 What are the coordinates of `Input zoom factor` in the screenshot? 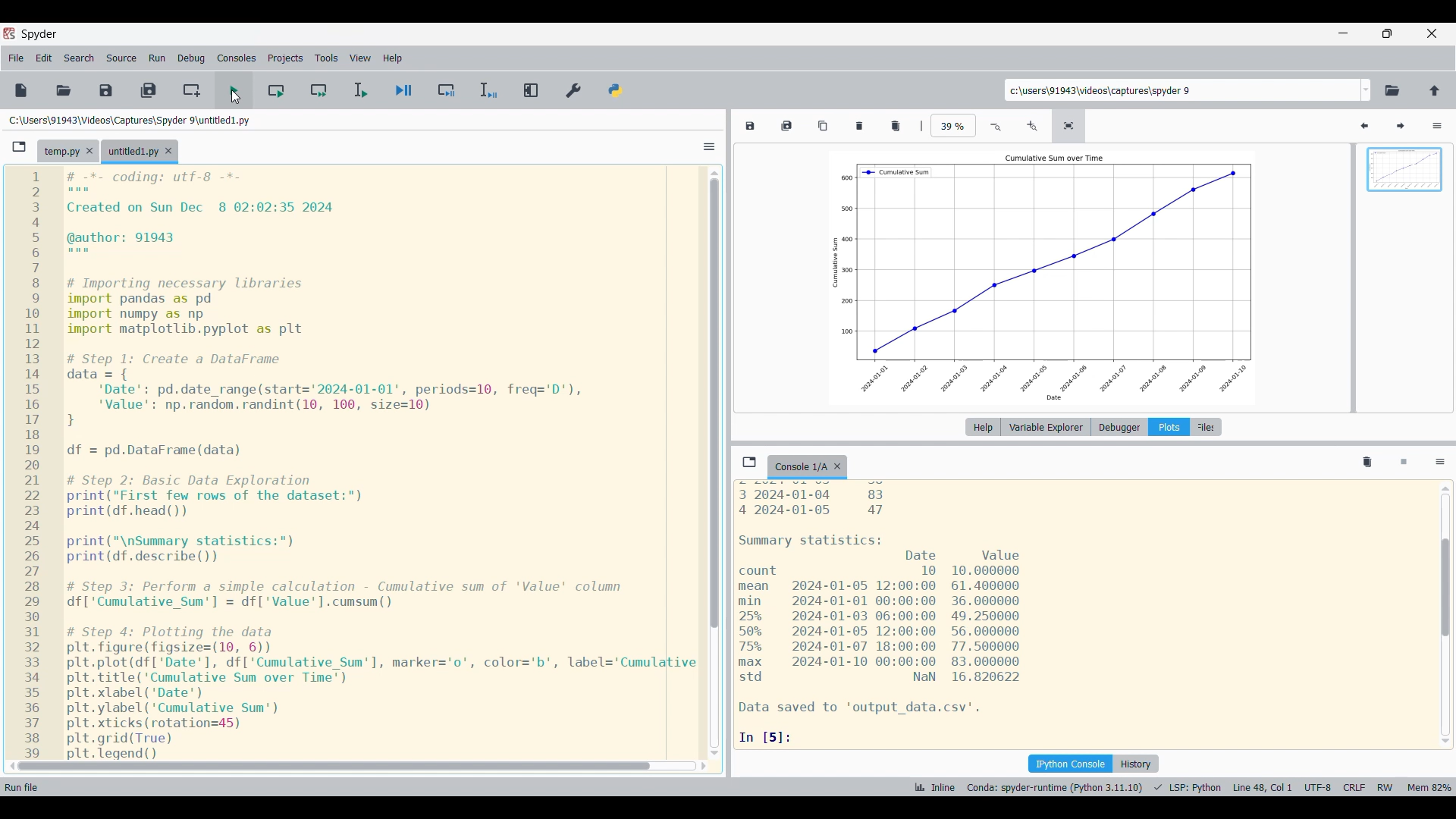 It's located at (953, 125).